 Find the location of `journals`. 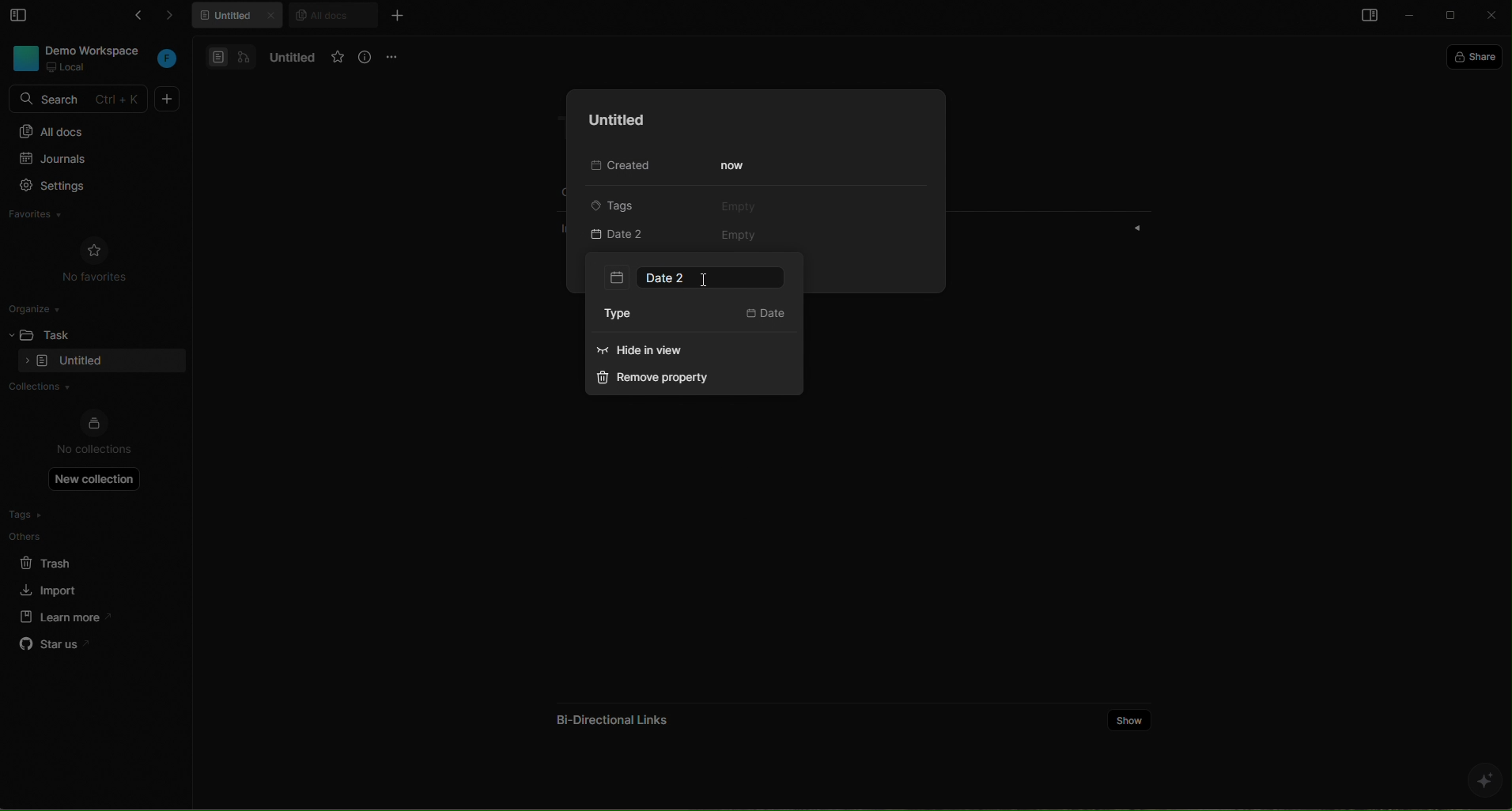

journals is located at coordinates (85, 160).